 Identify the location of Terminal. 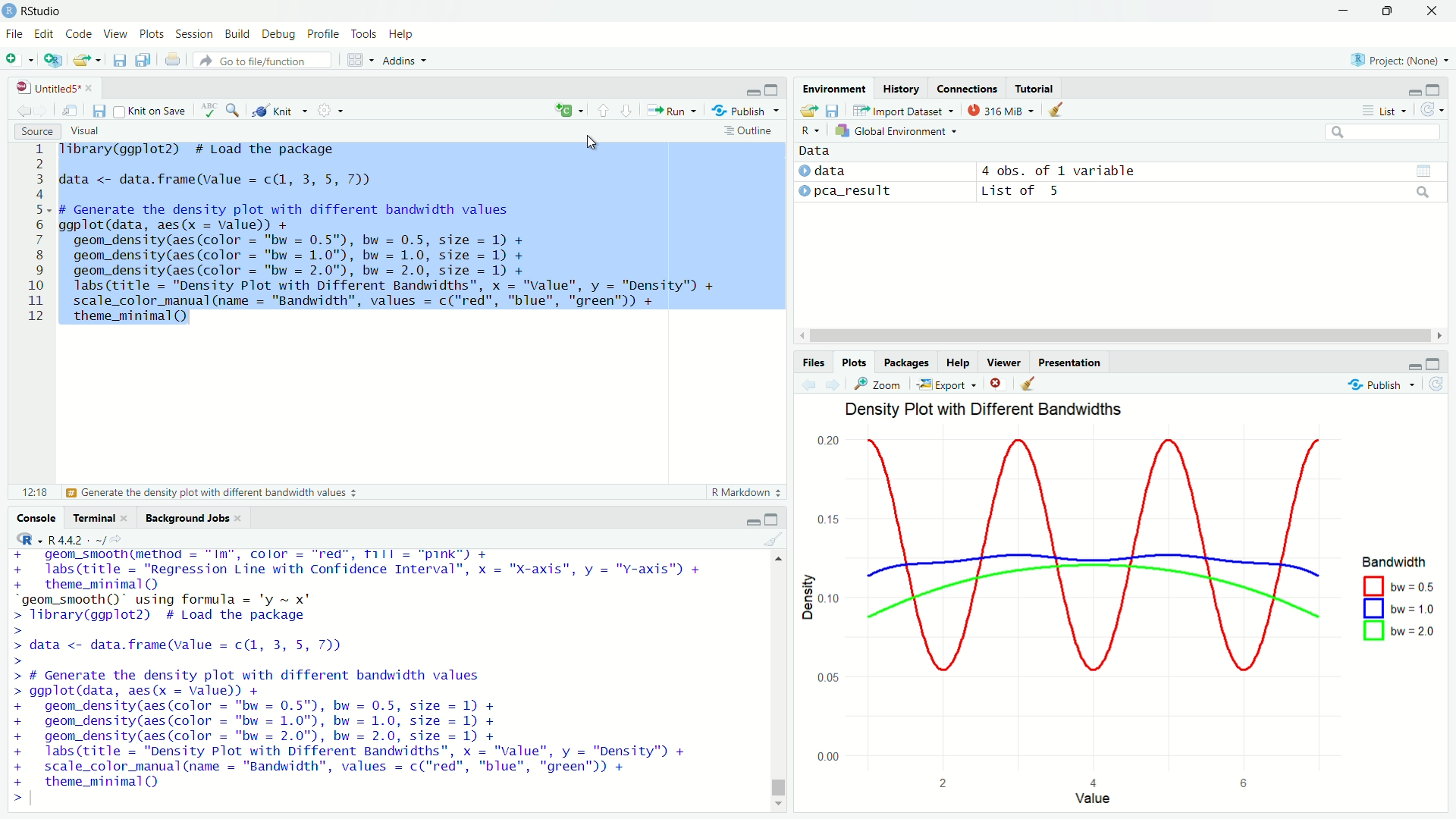
(93, 517).